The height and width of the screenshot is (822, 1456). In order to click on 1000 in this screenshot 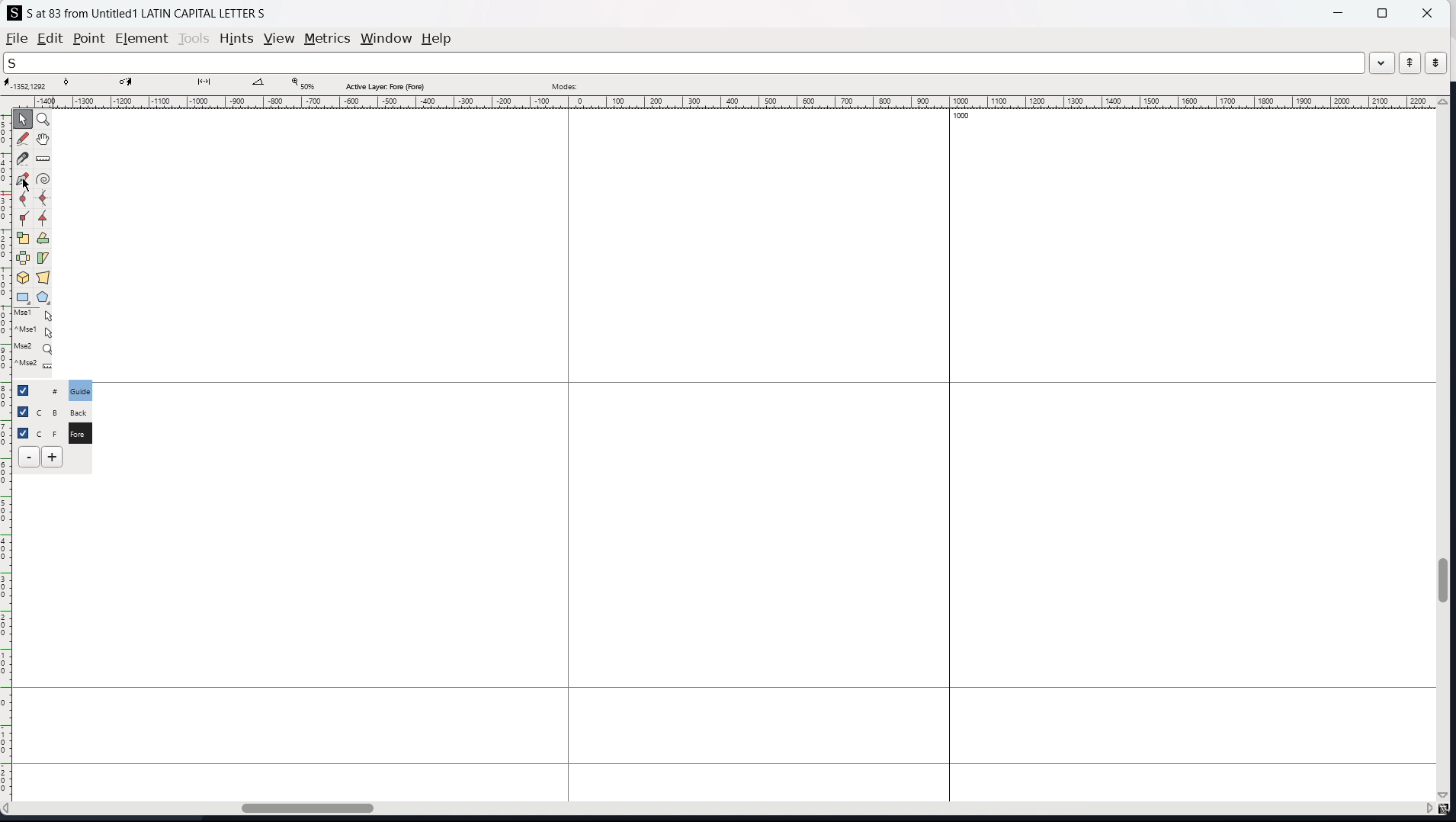, I will do `click(966, 117)`.